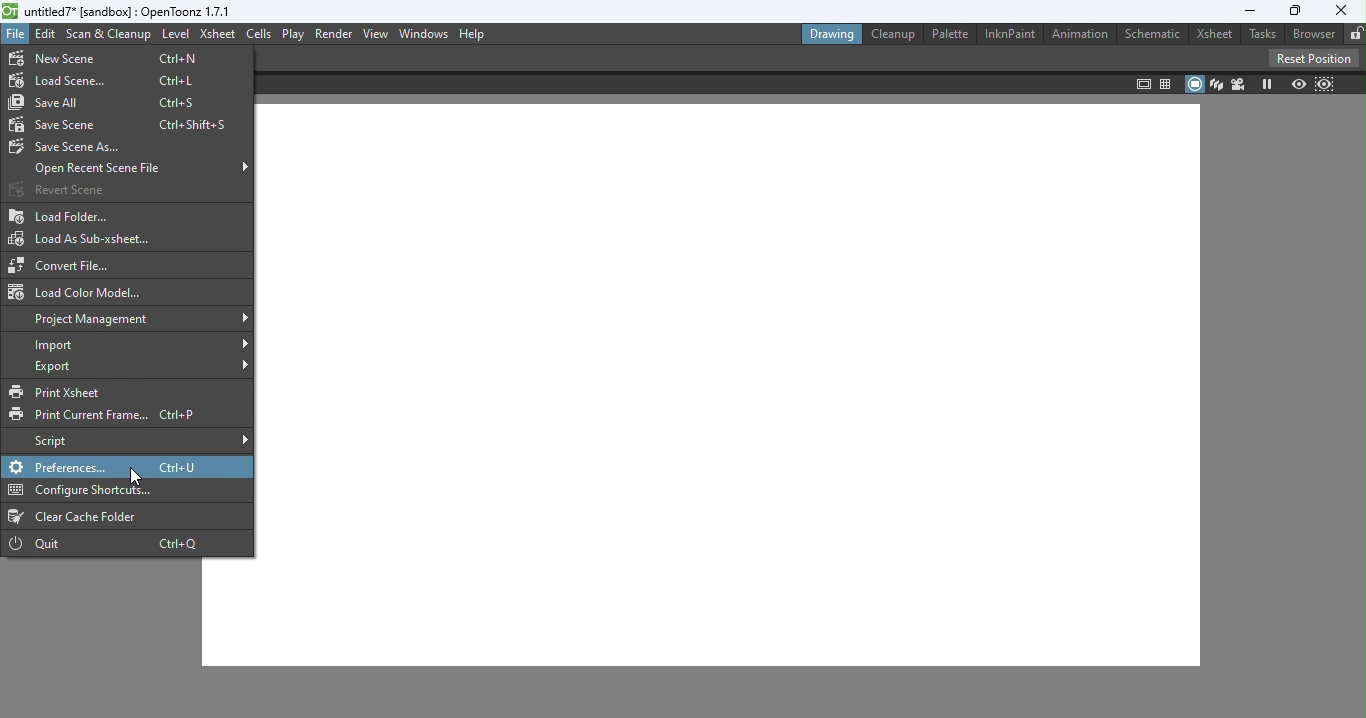  What do you see at coordinates (141, 168) in the screenshot?
I see `Open recent file` at bounding box center [141, 168].